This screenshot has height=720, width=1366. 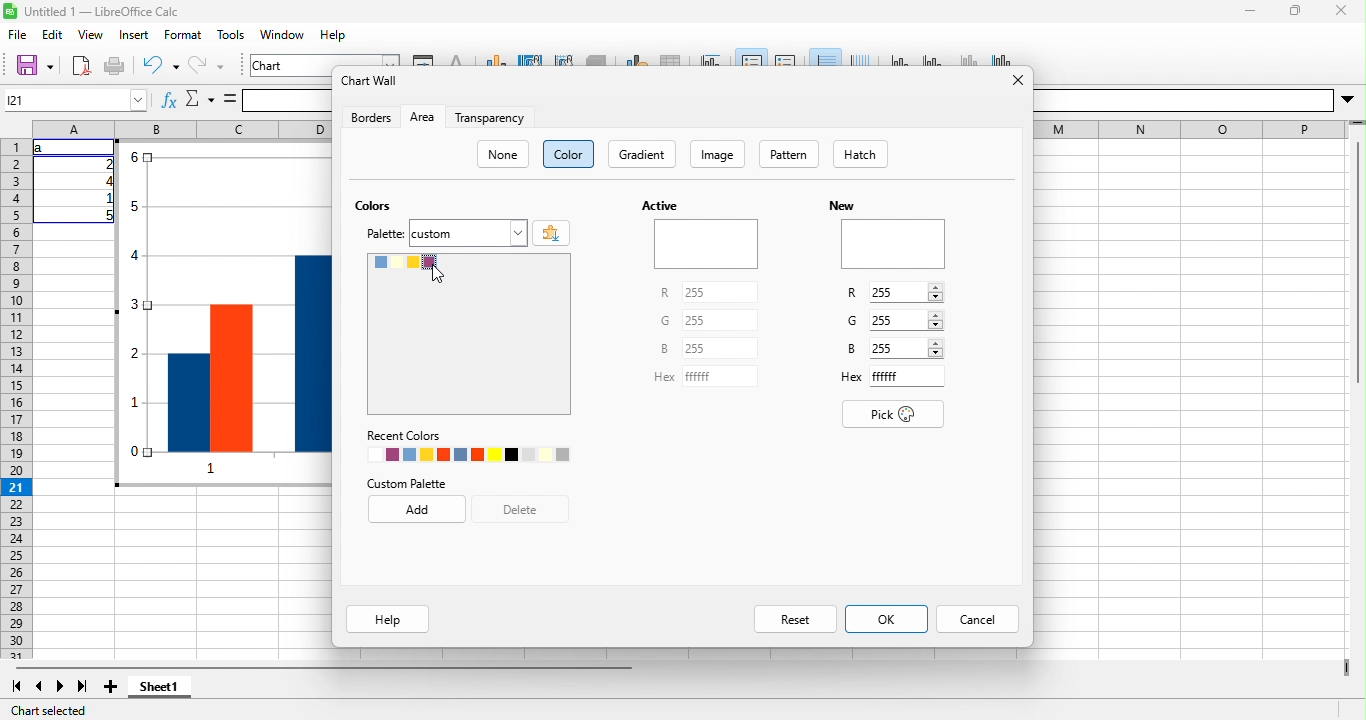 I want to click on Recent Colors, so click(x=404, y=436).